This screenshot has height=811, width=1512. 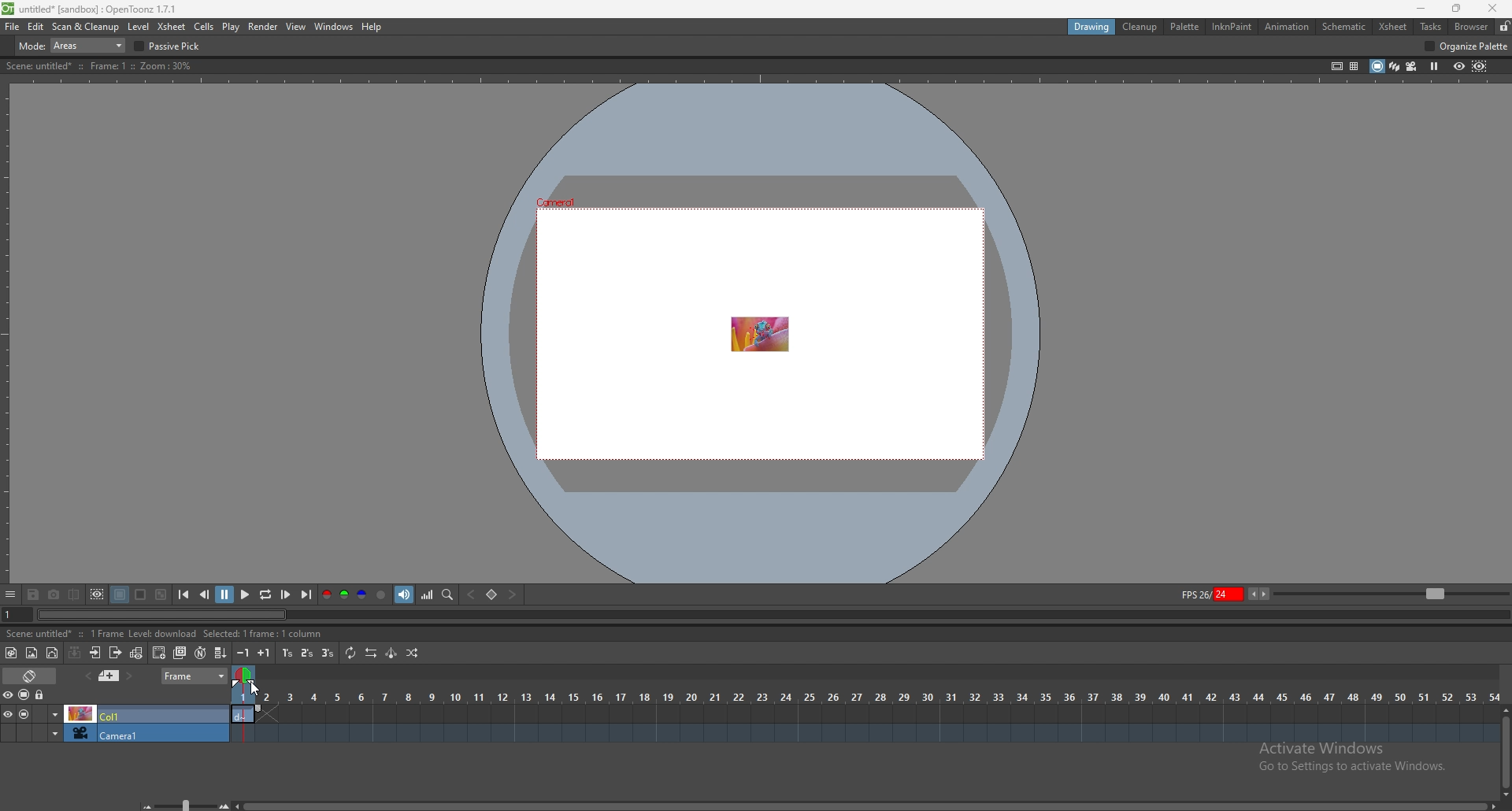 I want to click on fill in empty cells, so click(x=219, y=653).